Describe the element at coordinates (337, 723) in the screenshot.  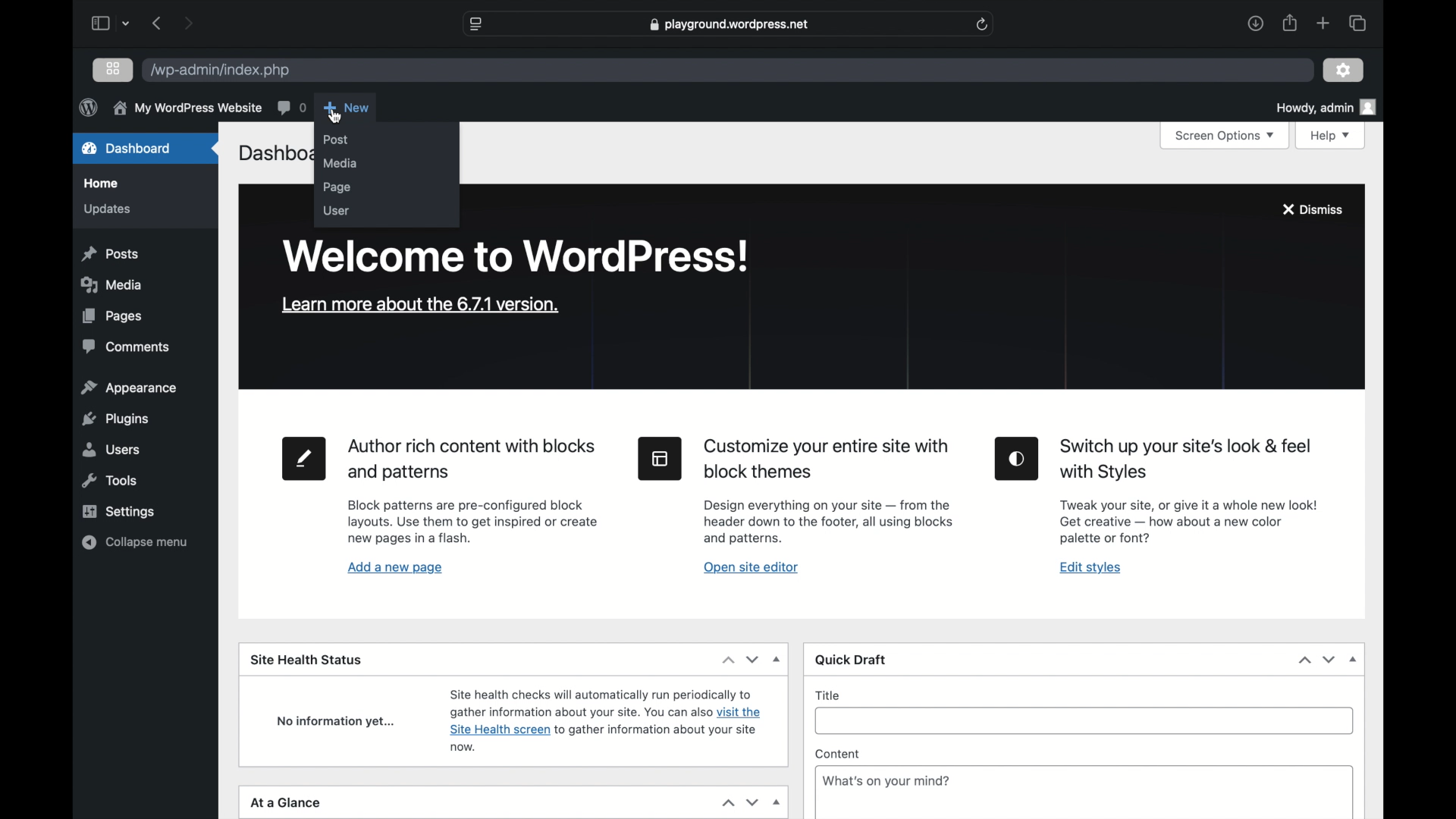
I see `no information yet` at that location.